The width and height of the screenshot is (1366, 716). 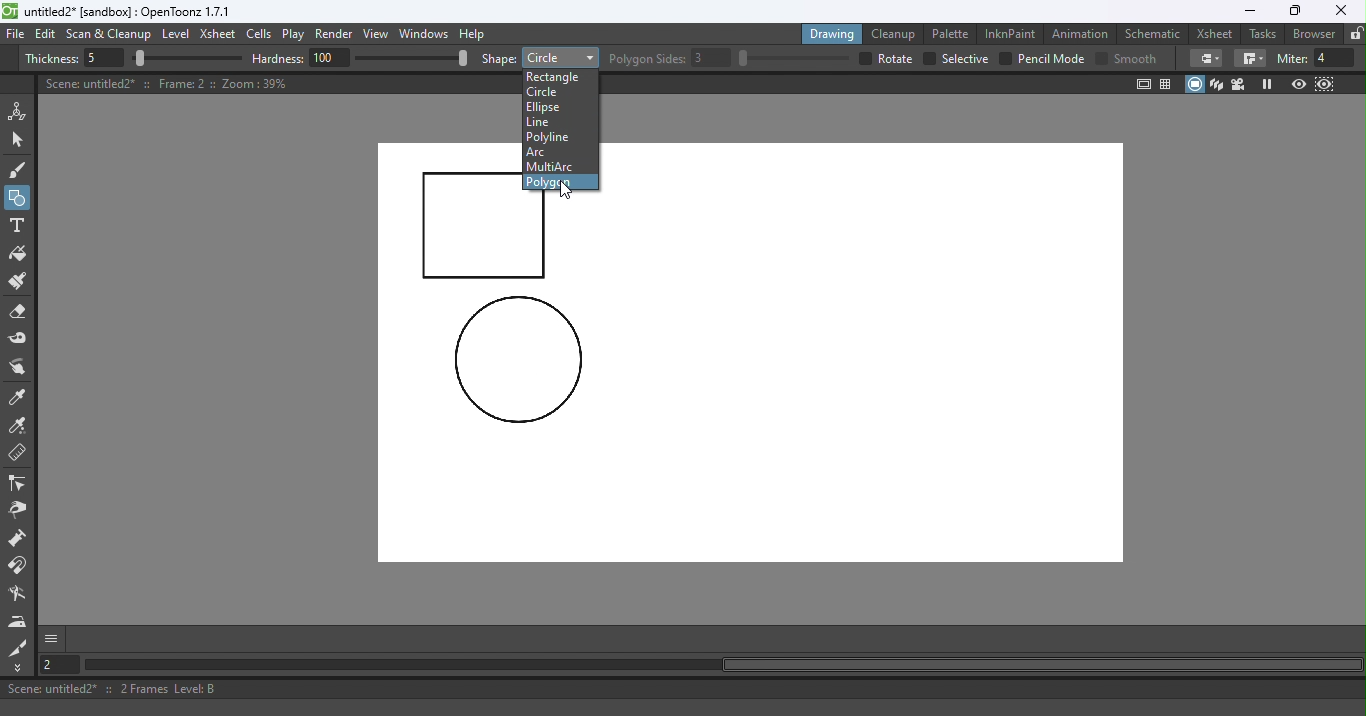 What do you see at coordinates (965, 59) in the screenshot?
I see `selective` at bounding box center [965, 59].